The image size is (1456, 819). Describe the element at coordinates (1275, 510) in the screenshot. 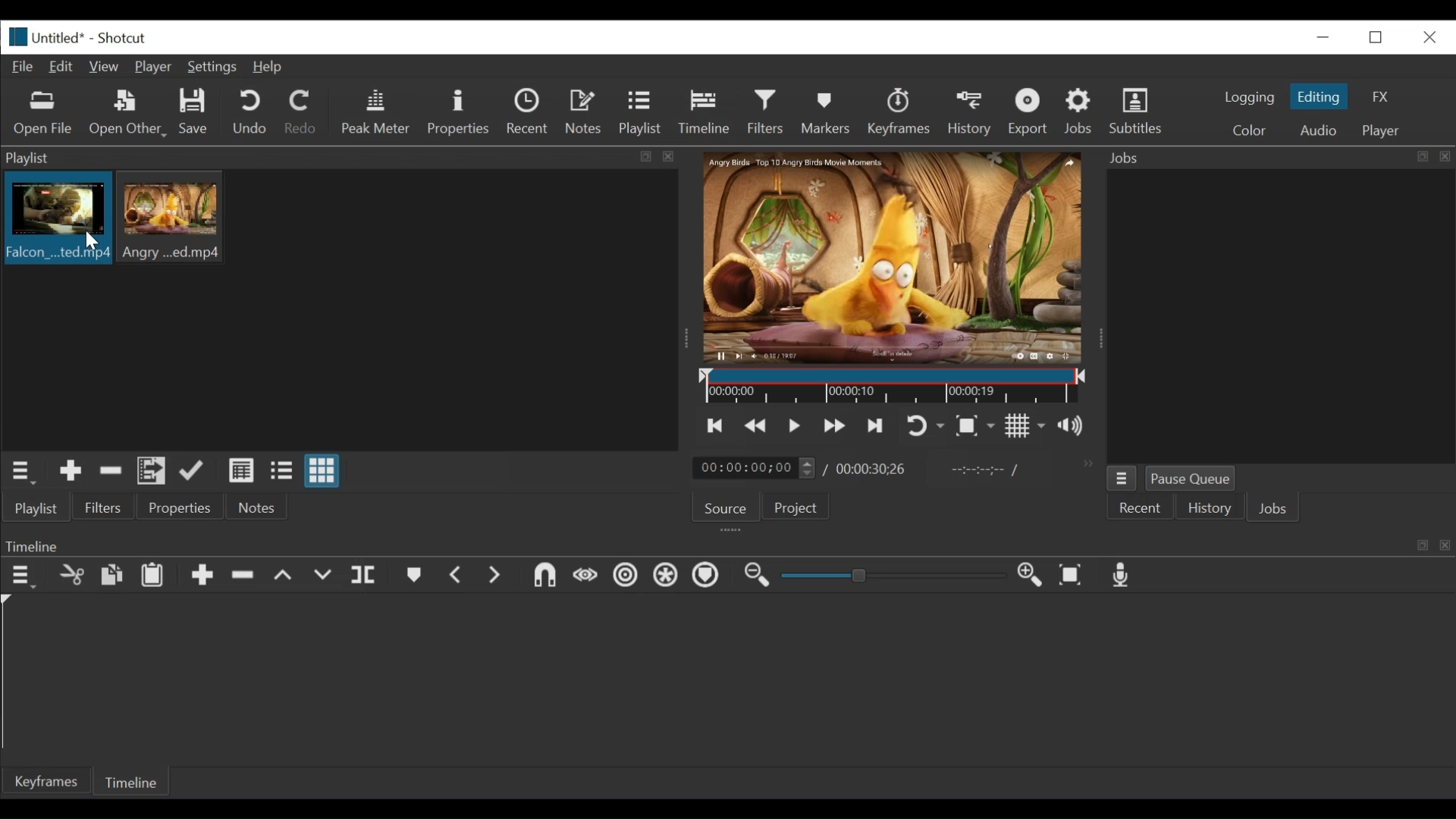

I see `JOBS` at that location.